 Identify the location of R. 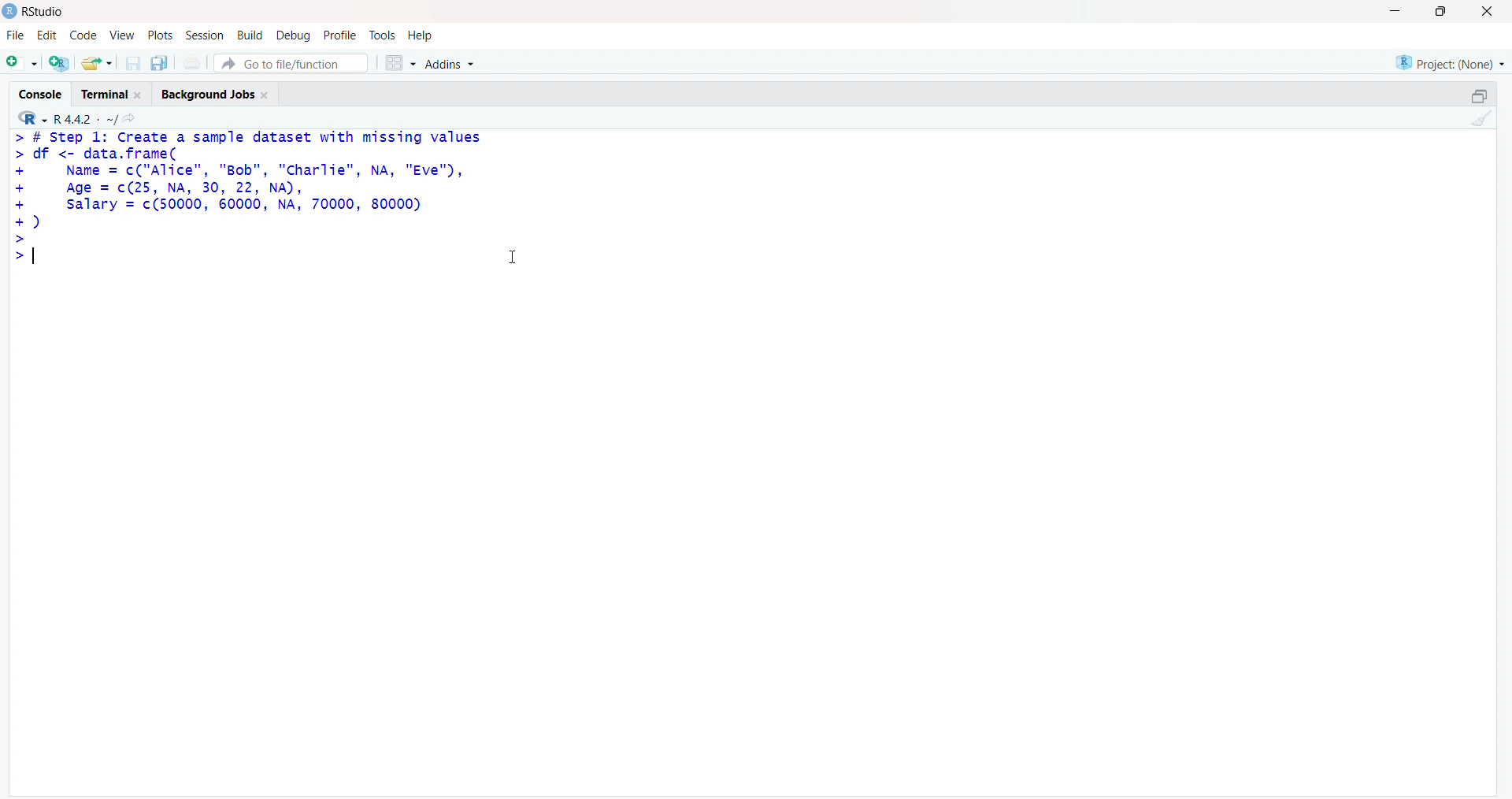
(31, 118).